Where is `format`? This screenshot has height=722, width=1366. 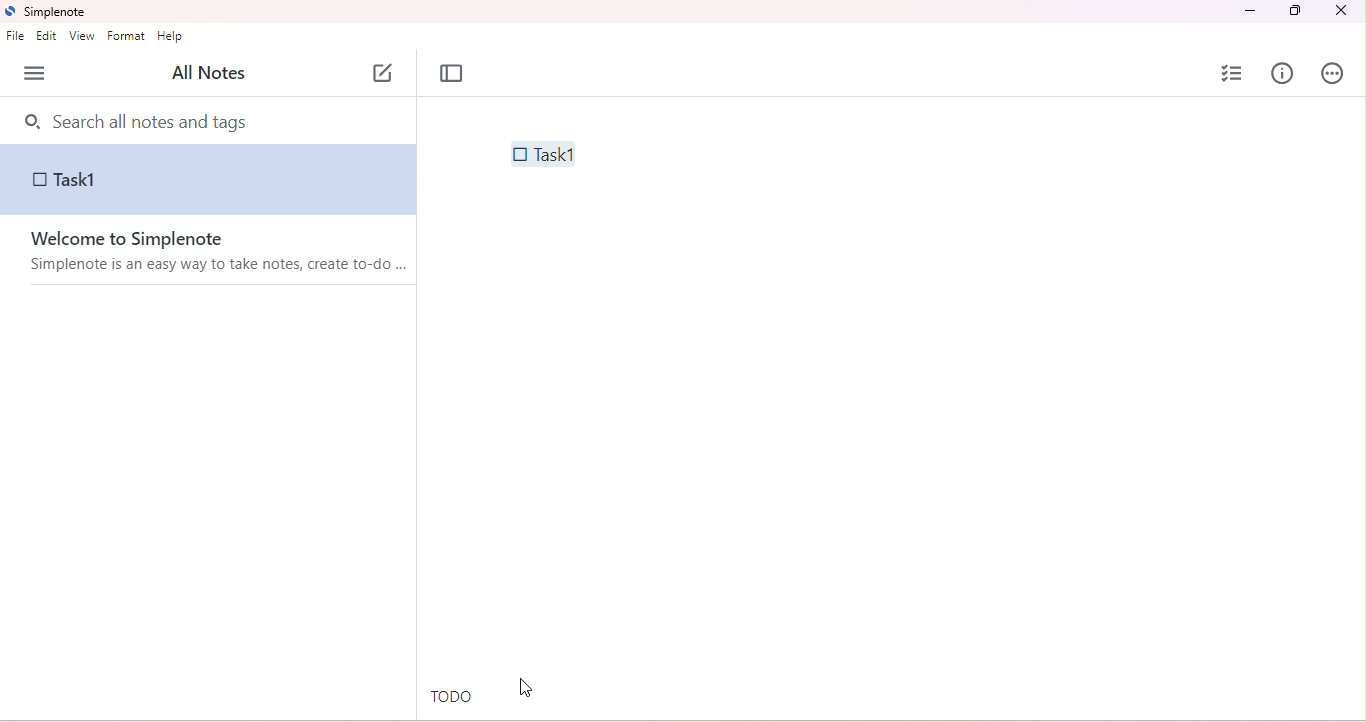 format is located at coordinates (129, 37).